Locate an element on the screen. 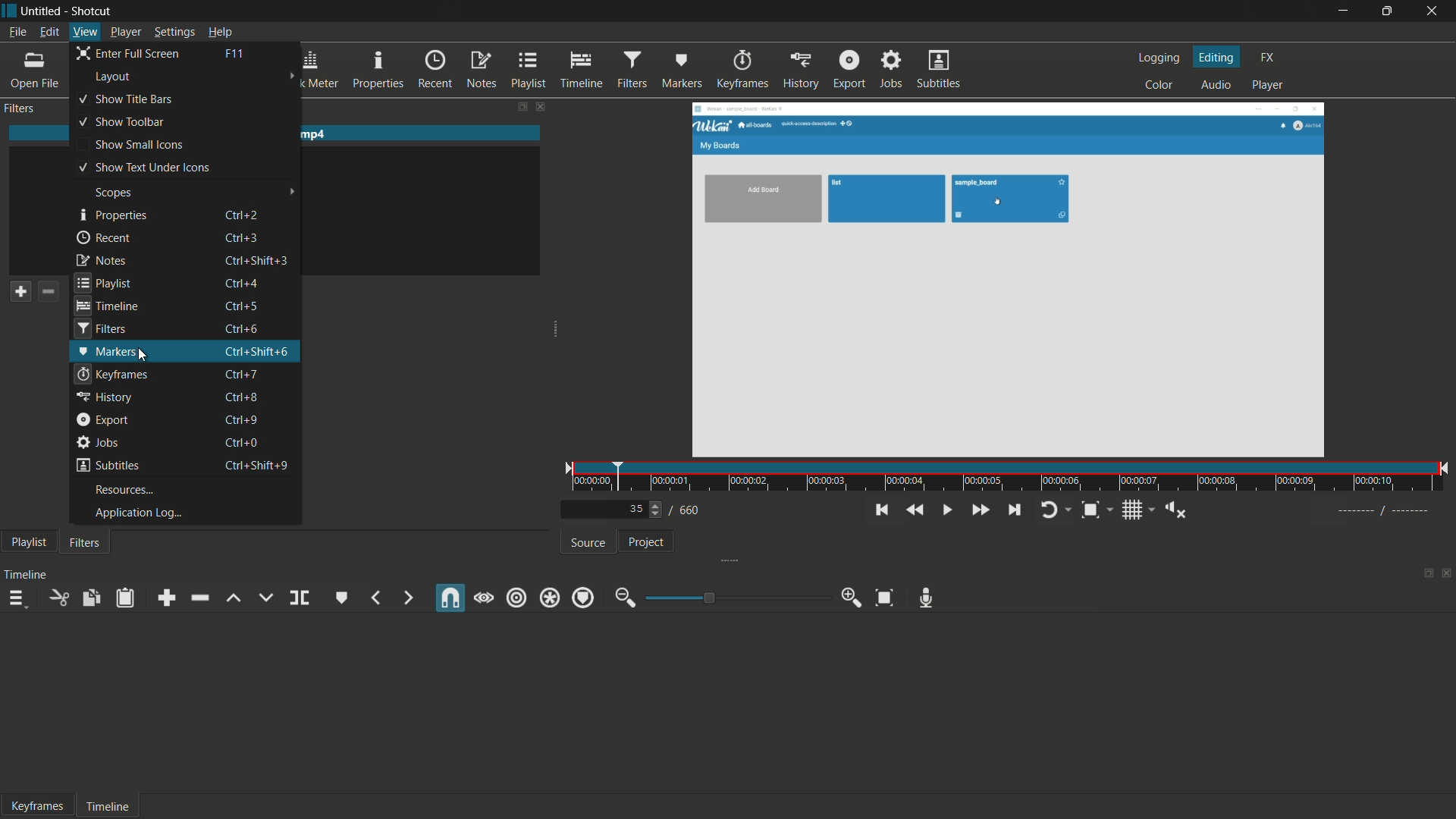  previous marker is located at coordinates (379, 598).